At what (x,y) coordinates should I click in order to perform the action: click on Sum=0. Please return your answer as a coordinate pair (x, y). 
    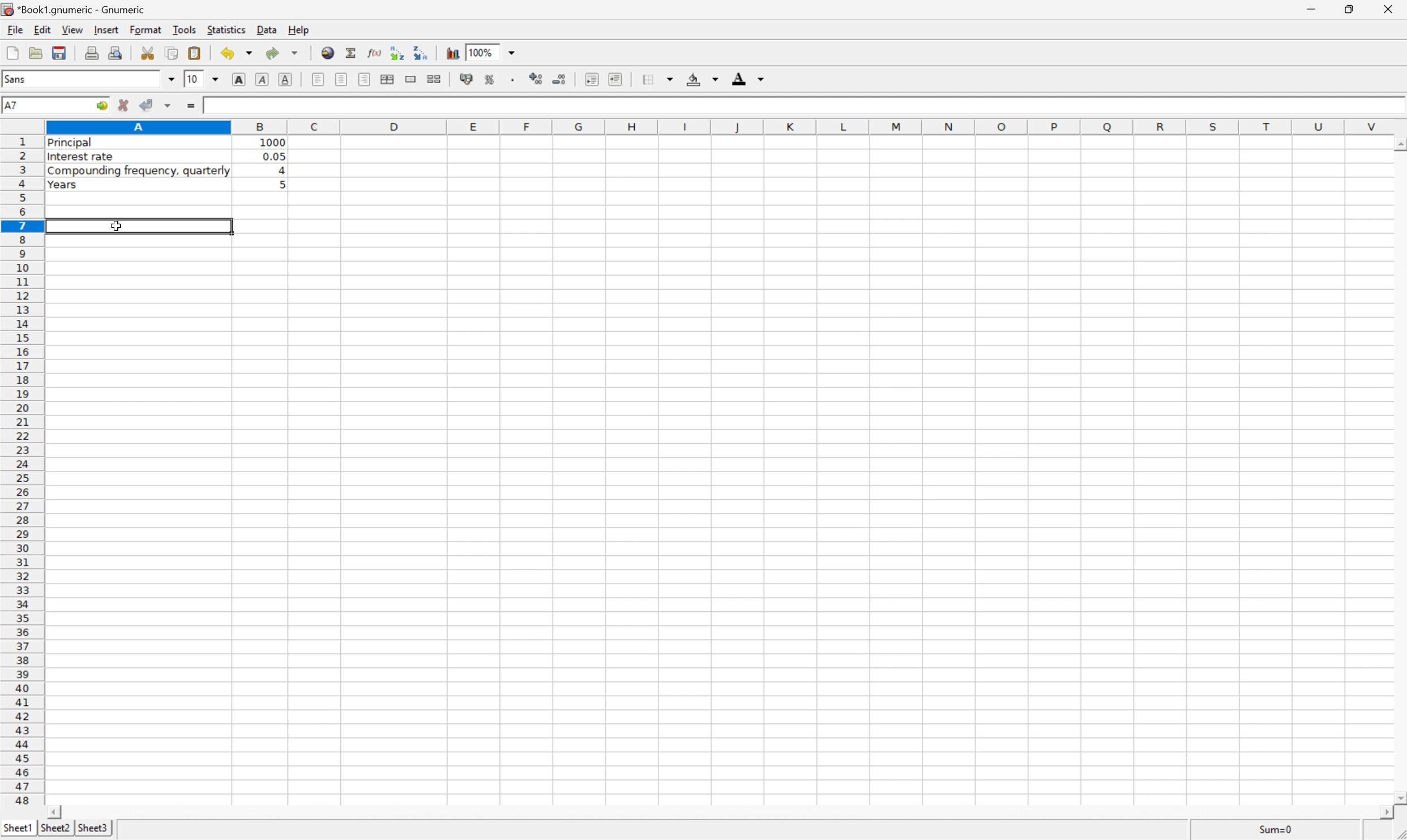
    Looking at the image, I should click on (1276, 829).